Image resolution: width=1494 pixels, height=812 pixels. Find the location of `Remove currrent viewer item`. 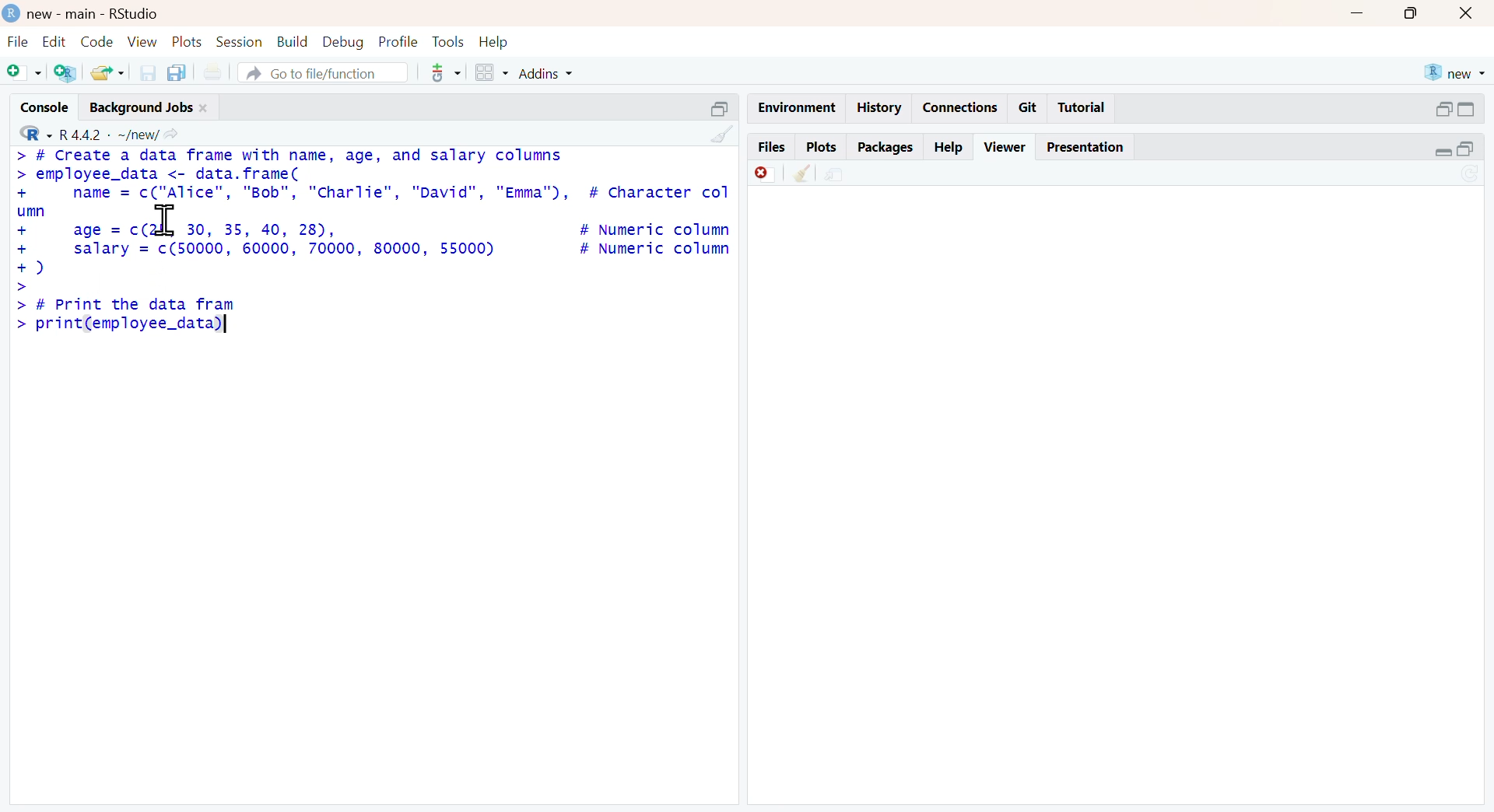

Remove currrent viewer item is located at coordinates (760, 178).